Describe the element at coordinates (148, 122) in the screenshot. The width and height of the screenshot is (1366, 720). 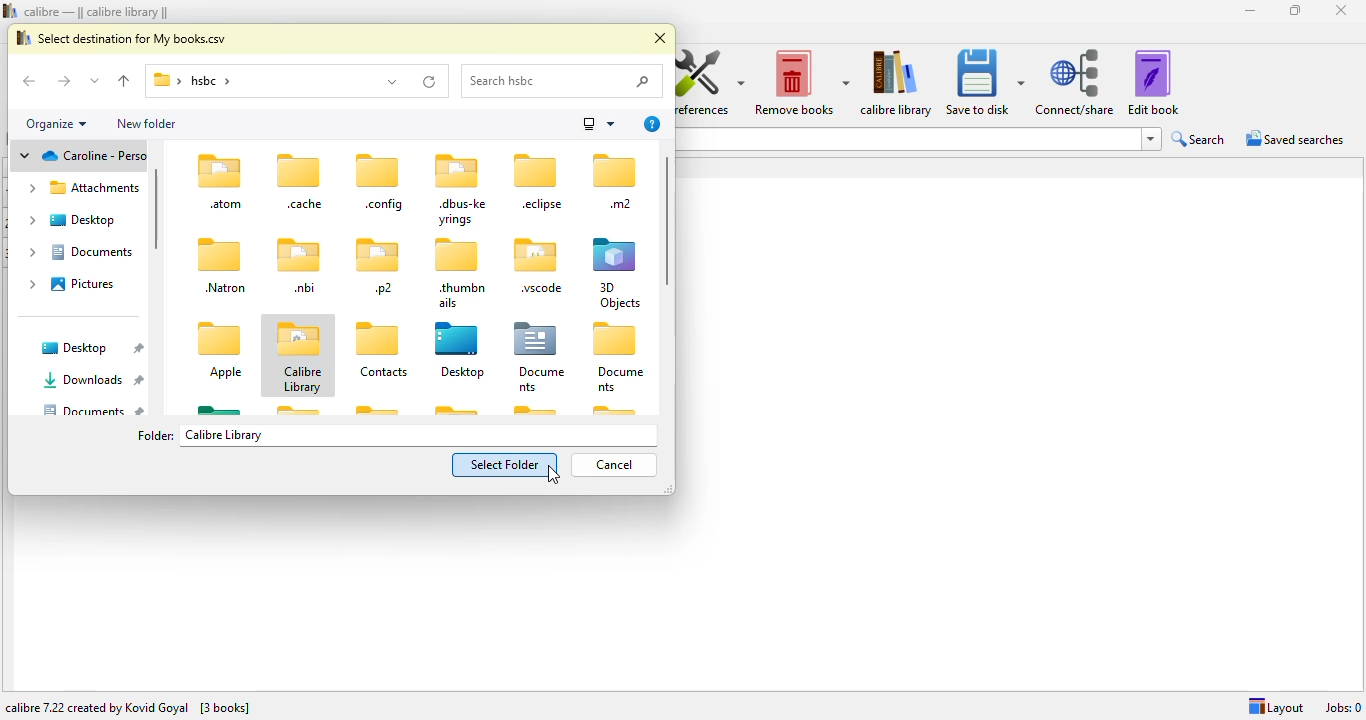
I see `new folder` at that location.